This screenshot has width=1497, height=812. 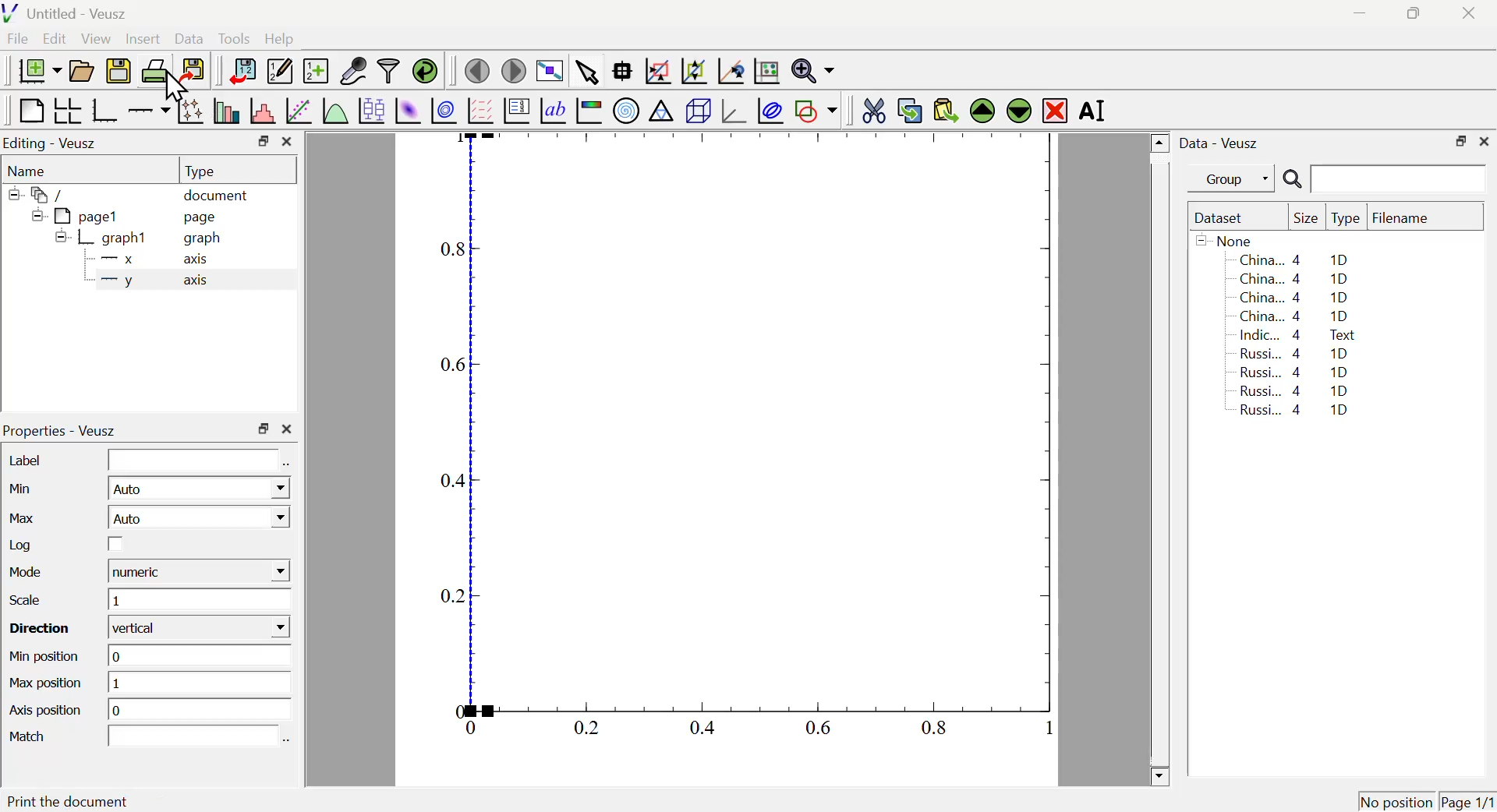 I want to click on File, so click(x=18, y=39).